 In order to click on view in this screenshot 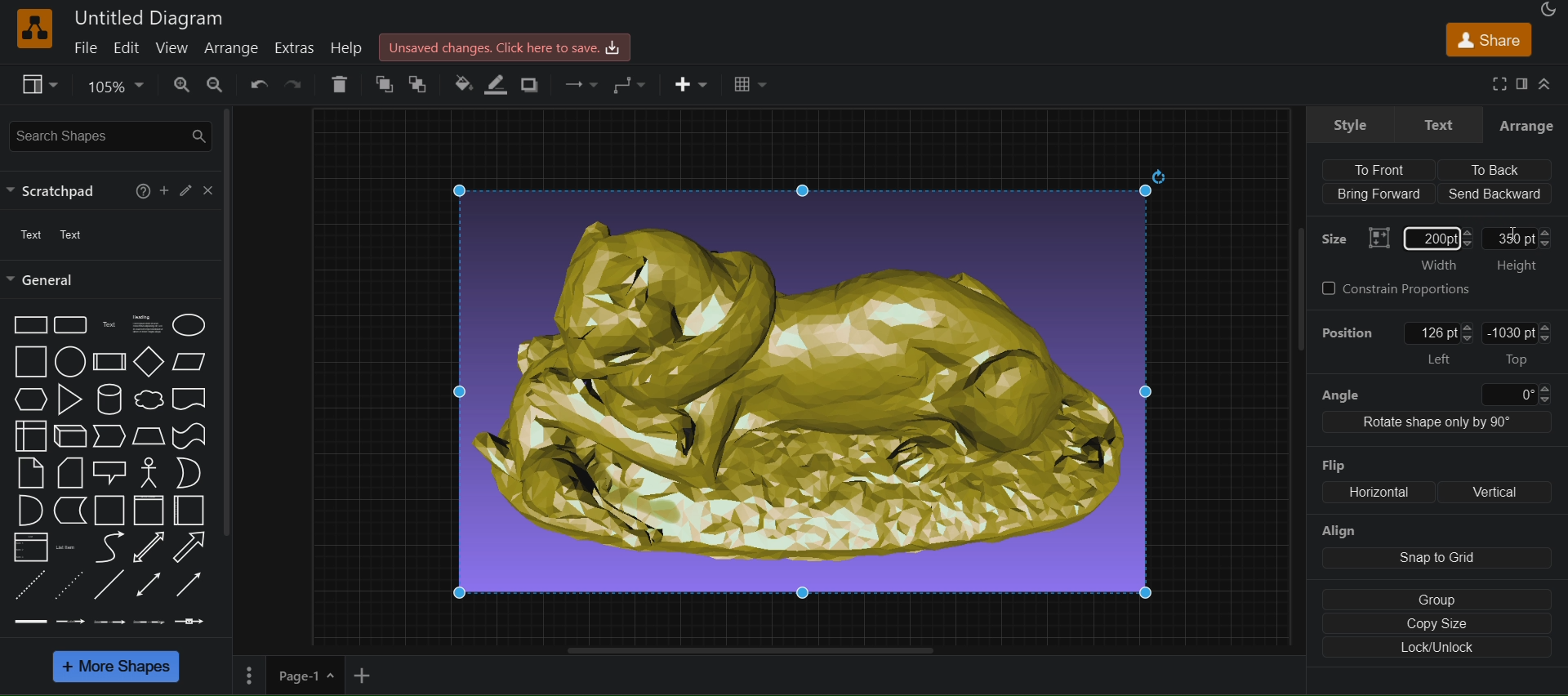, I will do `click(40, 84)`.